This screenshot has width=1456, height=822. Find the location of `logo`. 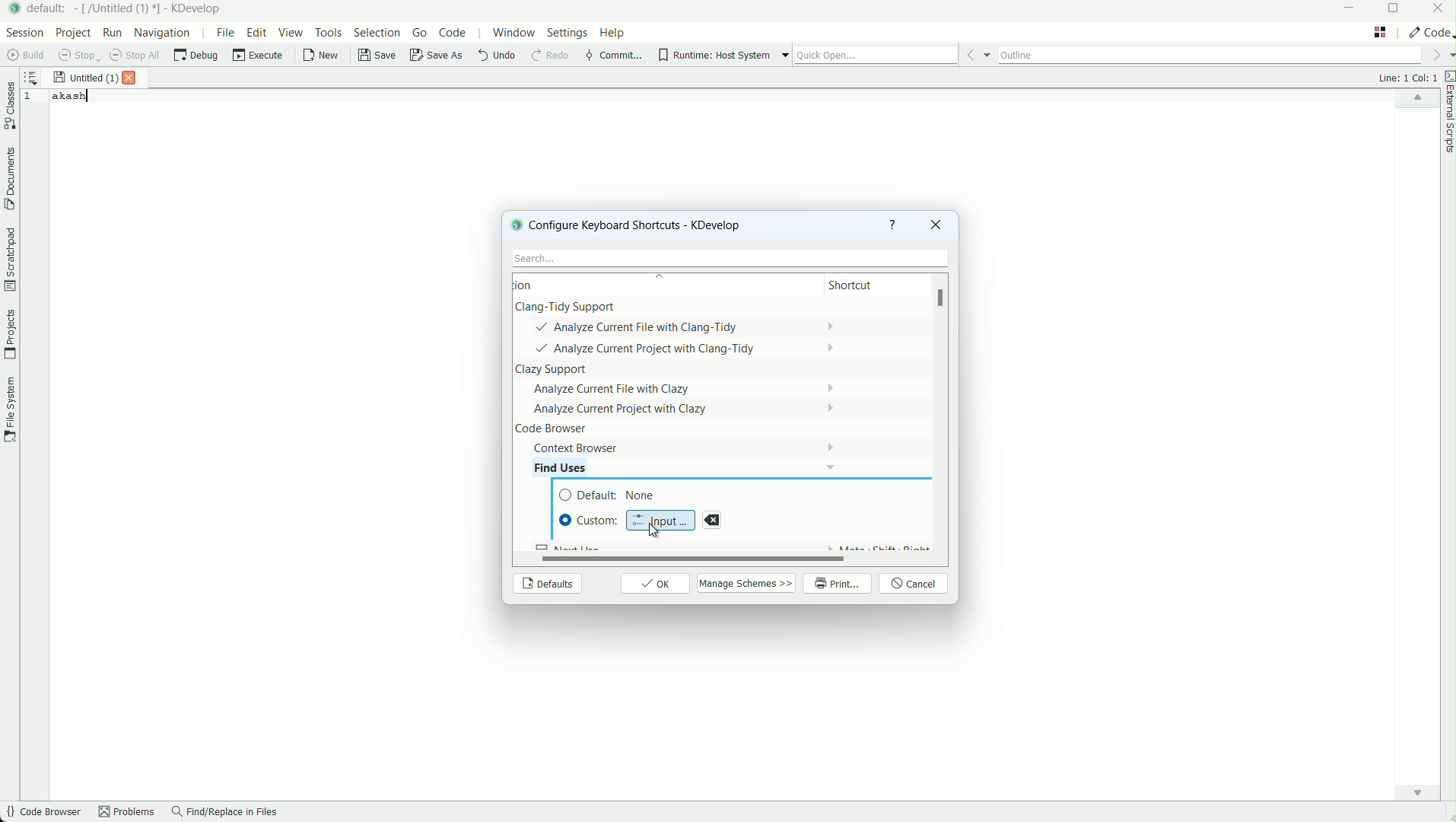

logo is located at coordinates (514, 224).